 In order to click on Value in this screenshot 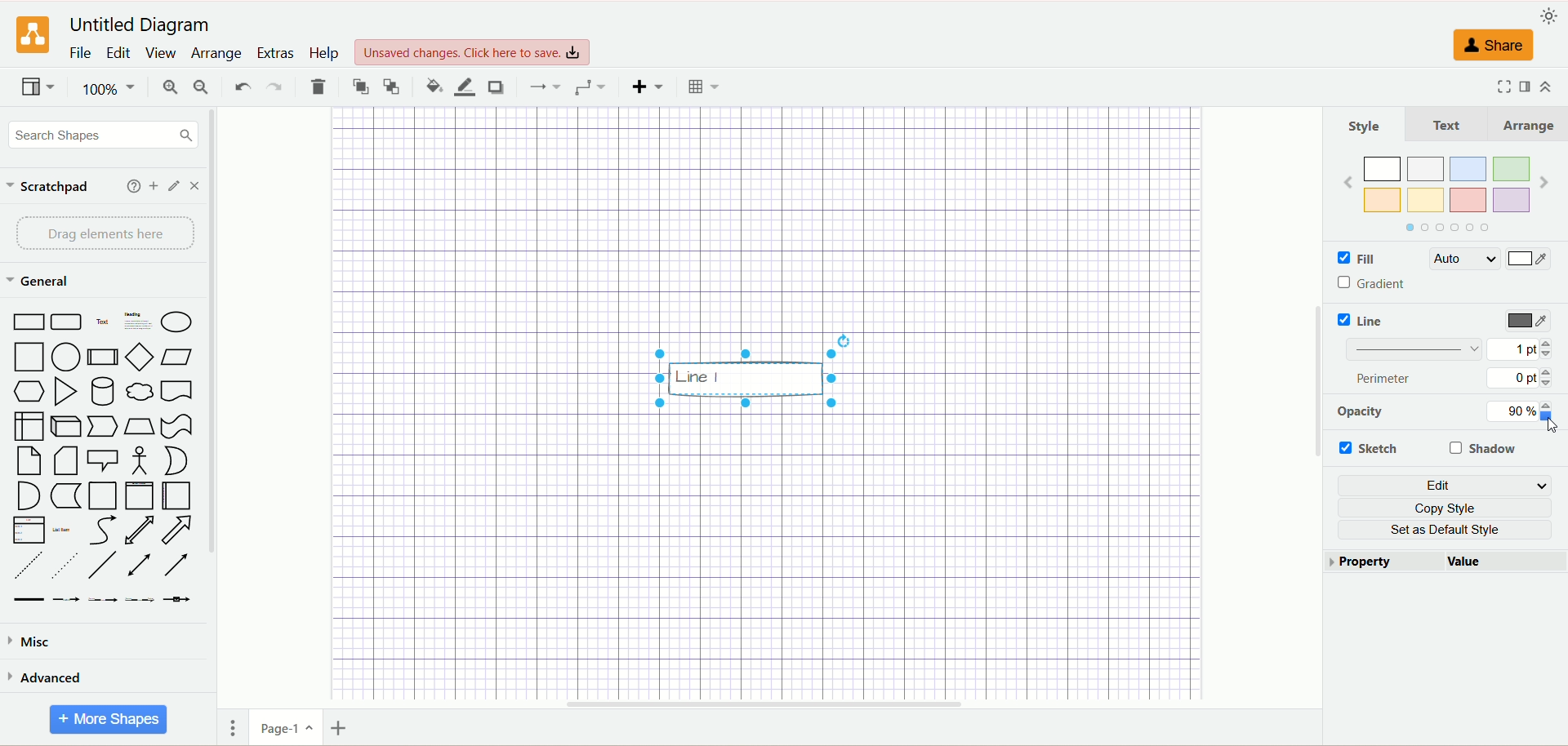, I will do `click(1499, 561)`.